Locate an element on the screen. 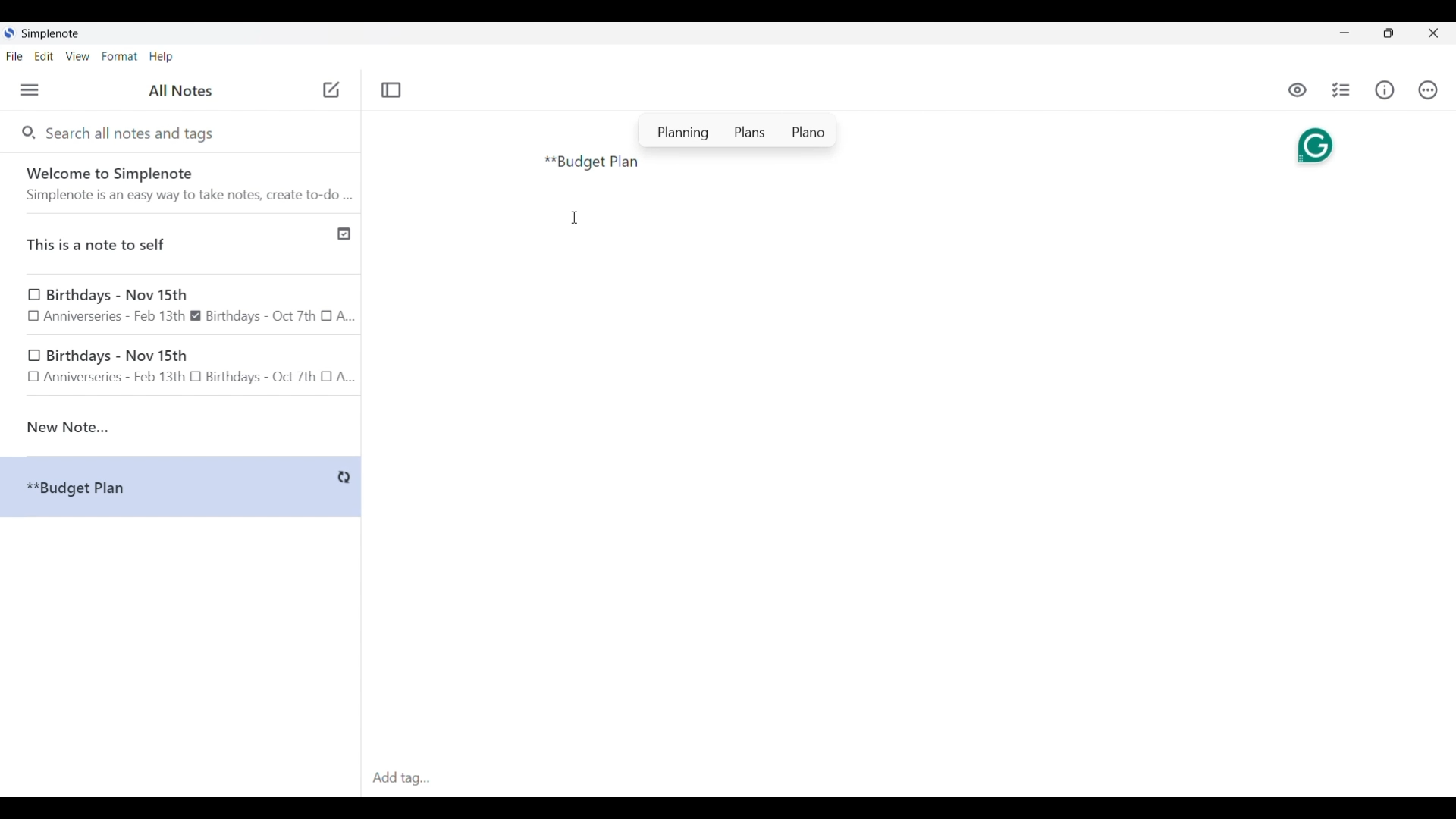 Image resolution: width=1456 pixels, height=819 pixels. Format menu is located at coordinates (120, 56).